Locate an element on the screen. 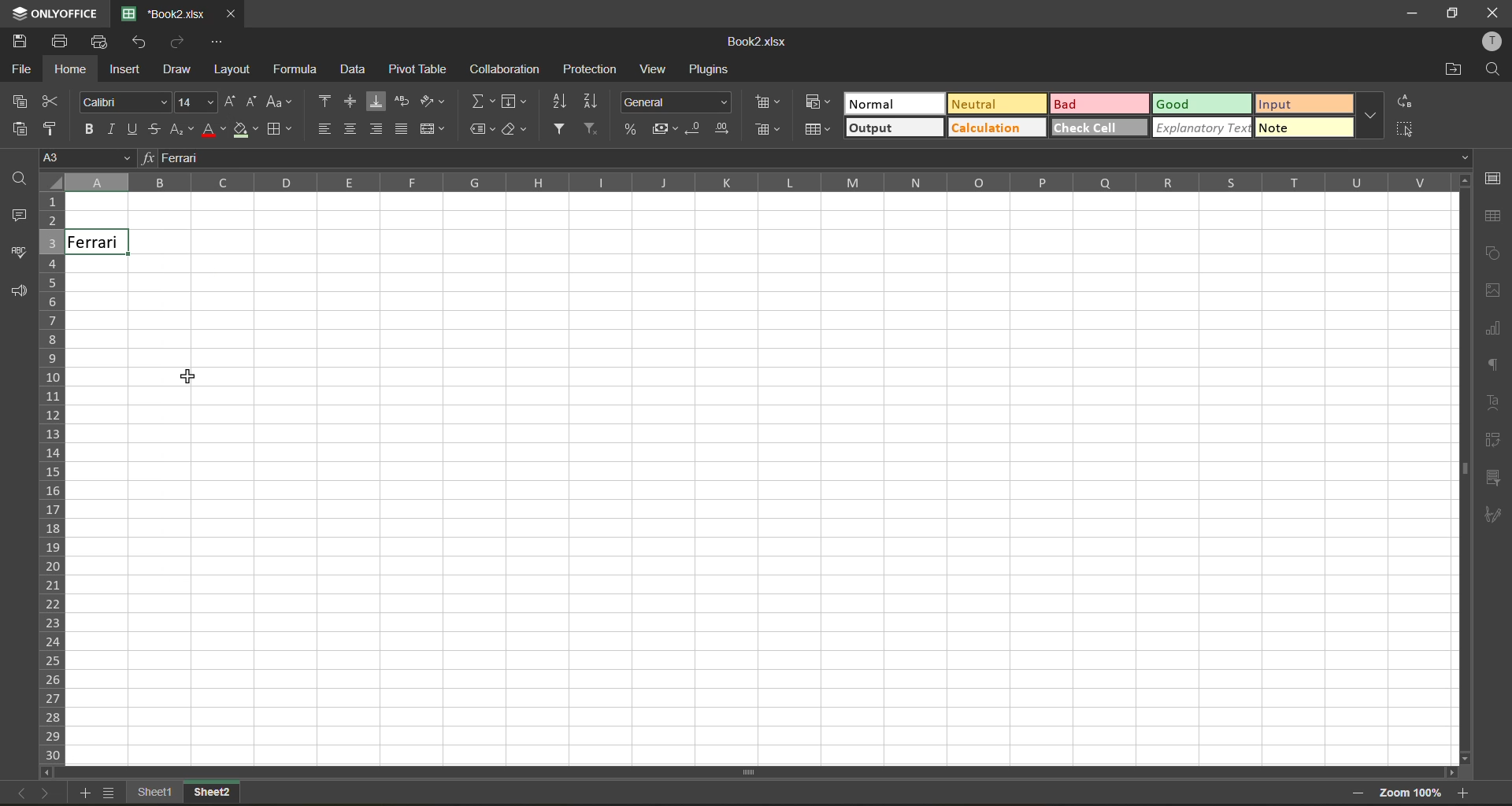 The image size is (1512, 806). save is located at coordinates (23, 40).